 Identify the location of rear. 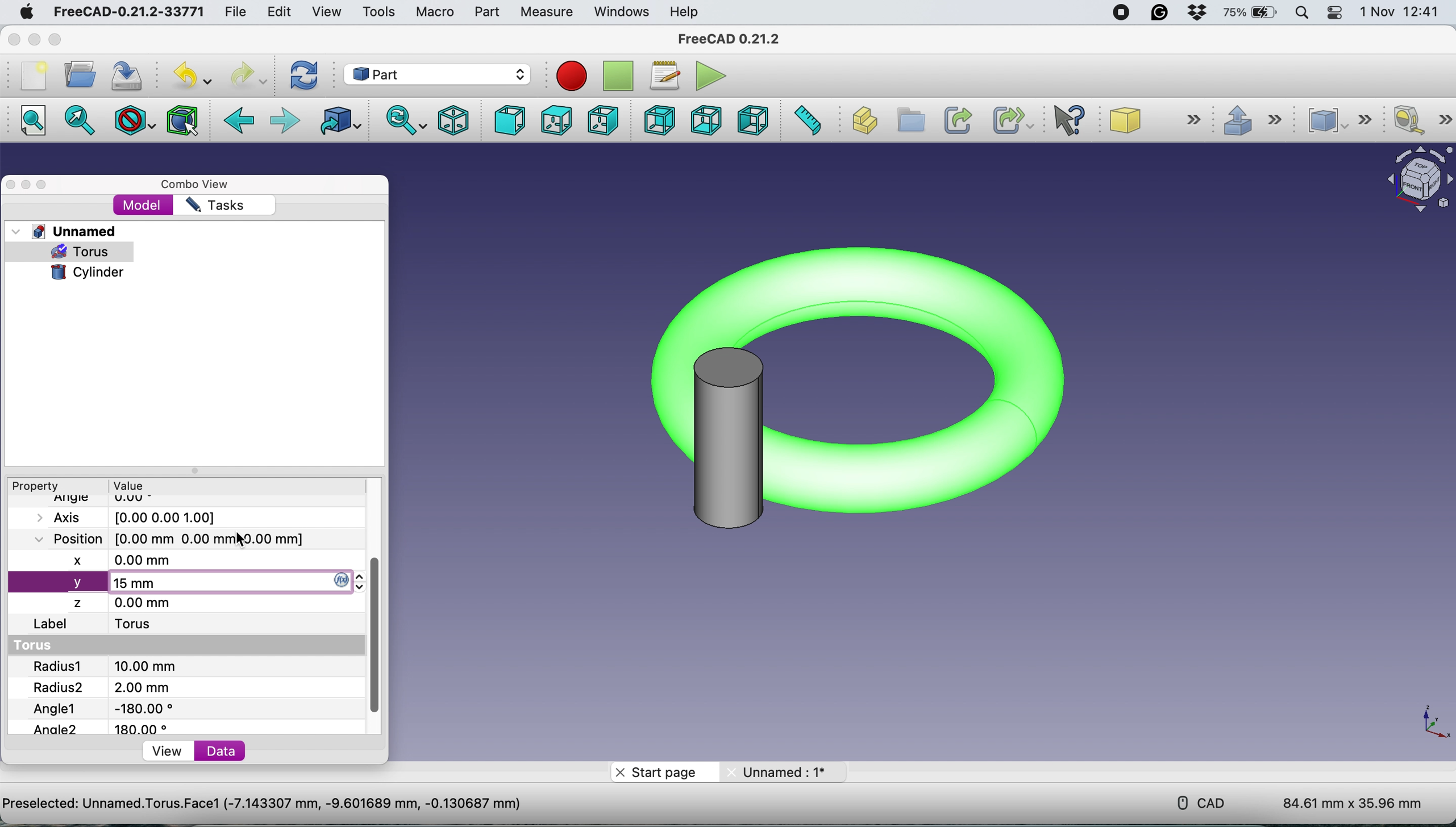
(660, 120).